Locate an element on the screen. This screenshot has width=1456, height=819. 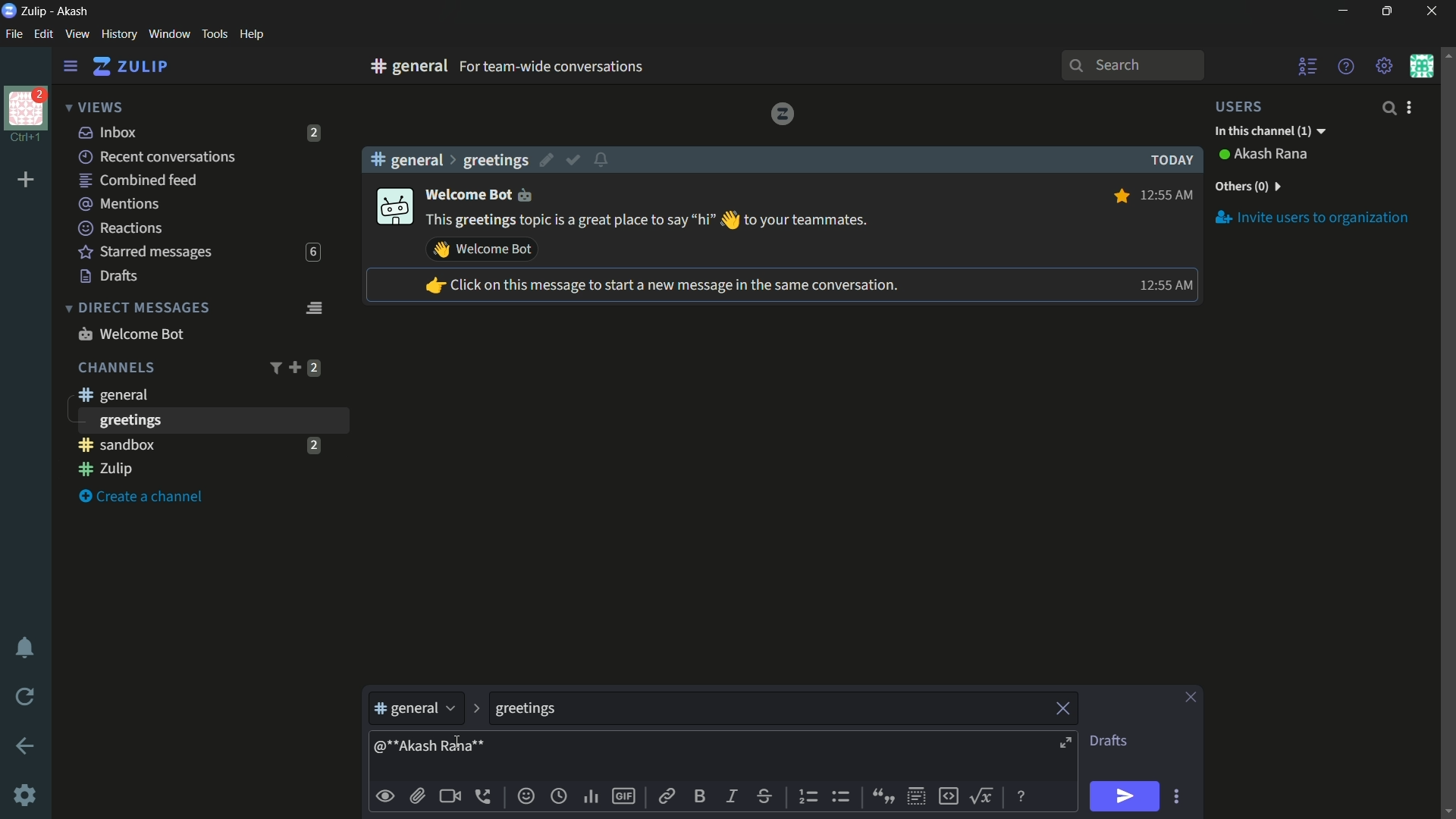
window menu is located at coordinates (169, 34).